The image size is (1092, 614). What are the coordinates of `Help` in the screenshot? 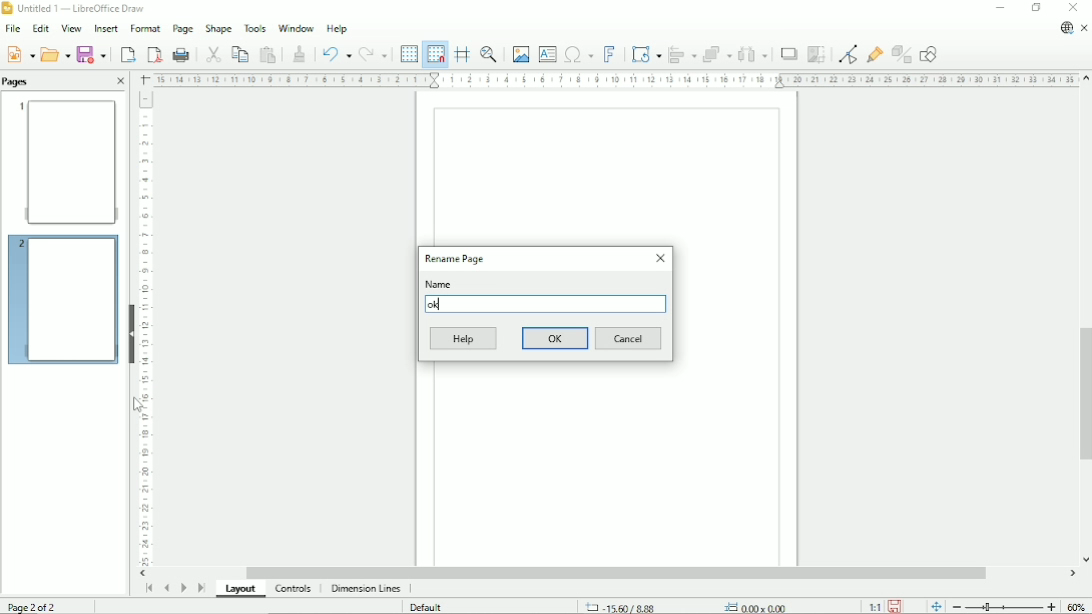 It's located at (337, 28).